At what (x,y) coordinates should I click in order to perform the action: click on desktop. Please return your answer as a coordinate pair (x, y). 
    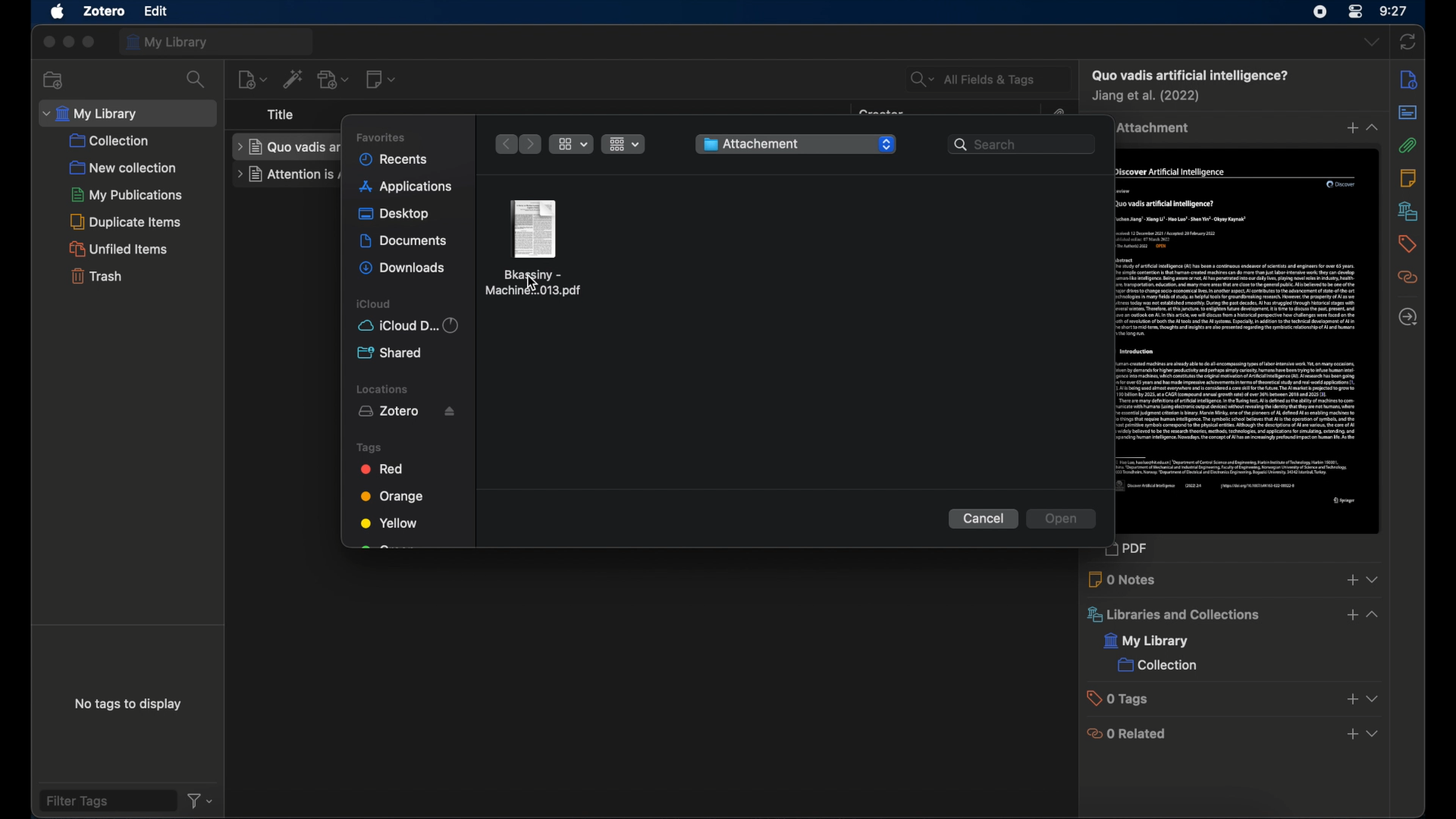
    Looking at the image, I should click on (395, 215).